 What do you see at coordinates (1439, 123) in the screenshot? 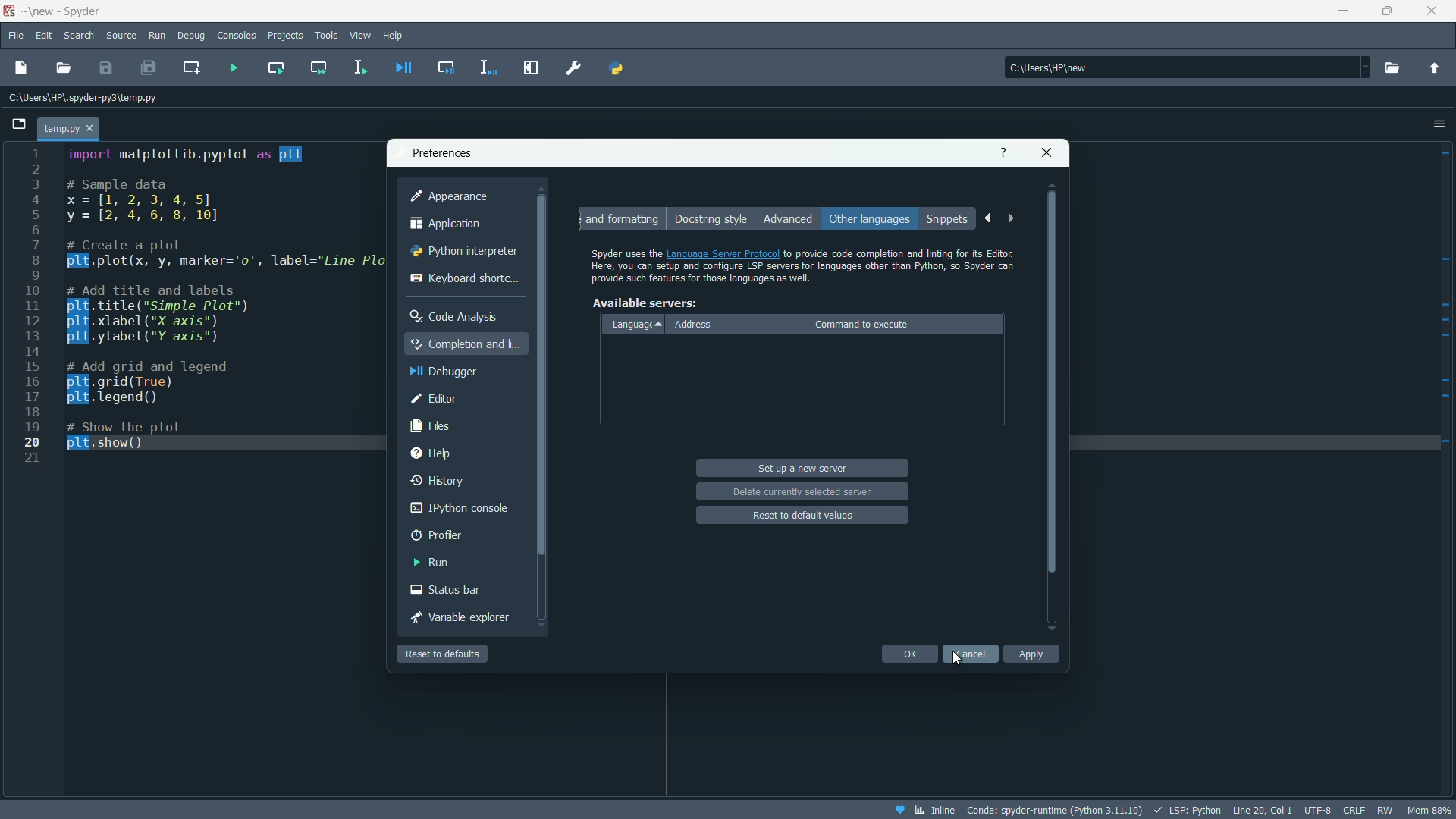
I see `options` at bounding box center [1439, 123].